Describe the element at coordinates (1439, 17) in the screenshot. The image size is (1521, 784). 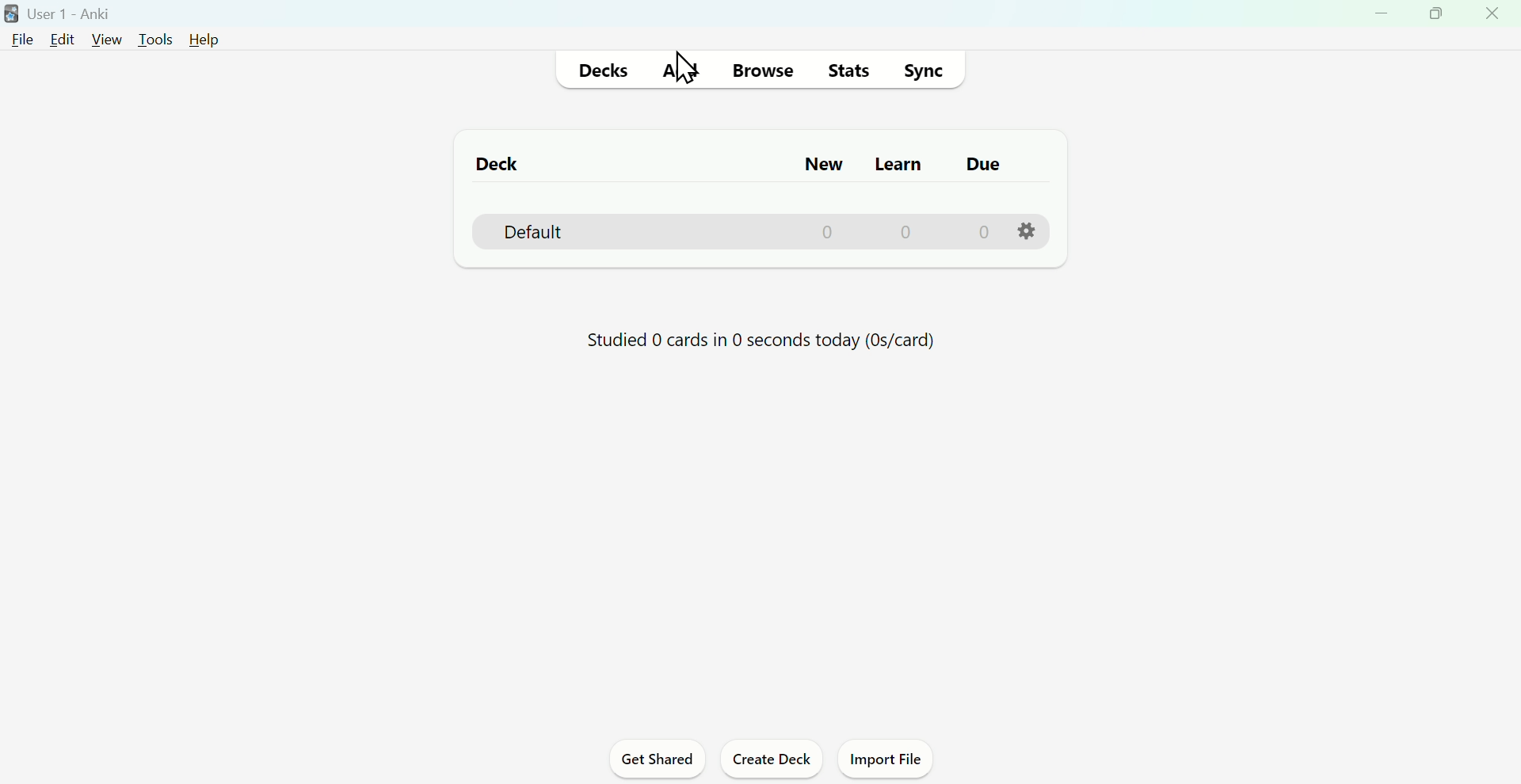
I see `Maximize` at that location.